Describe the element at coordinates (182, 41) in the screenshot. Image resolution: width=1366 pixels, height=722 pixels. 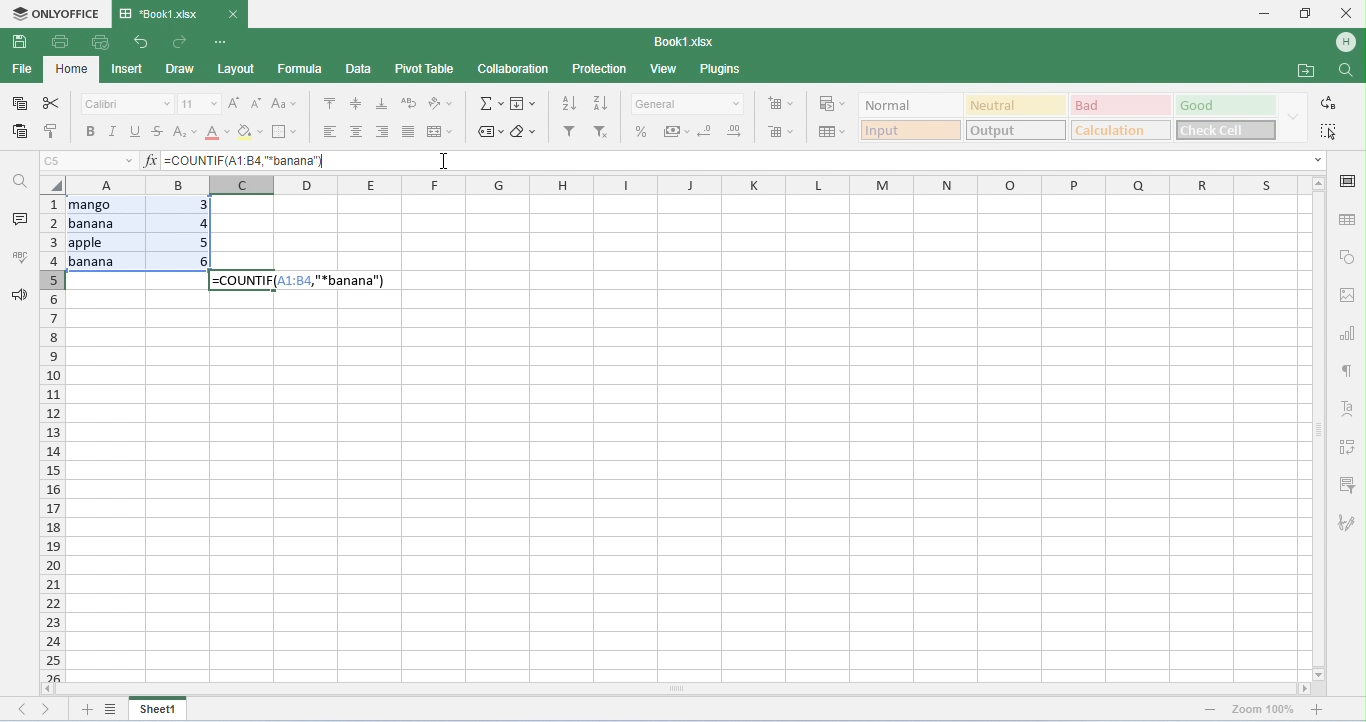
I see `redo` at that location.